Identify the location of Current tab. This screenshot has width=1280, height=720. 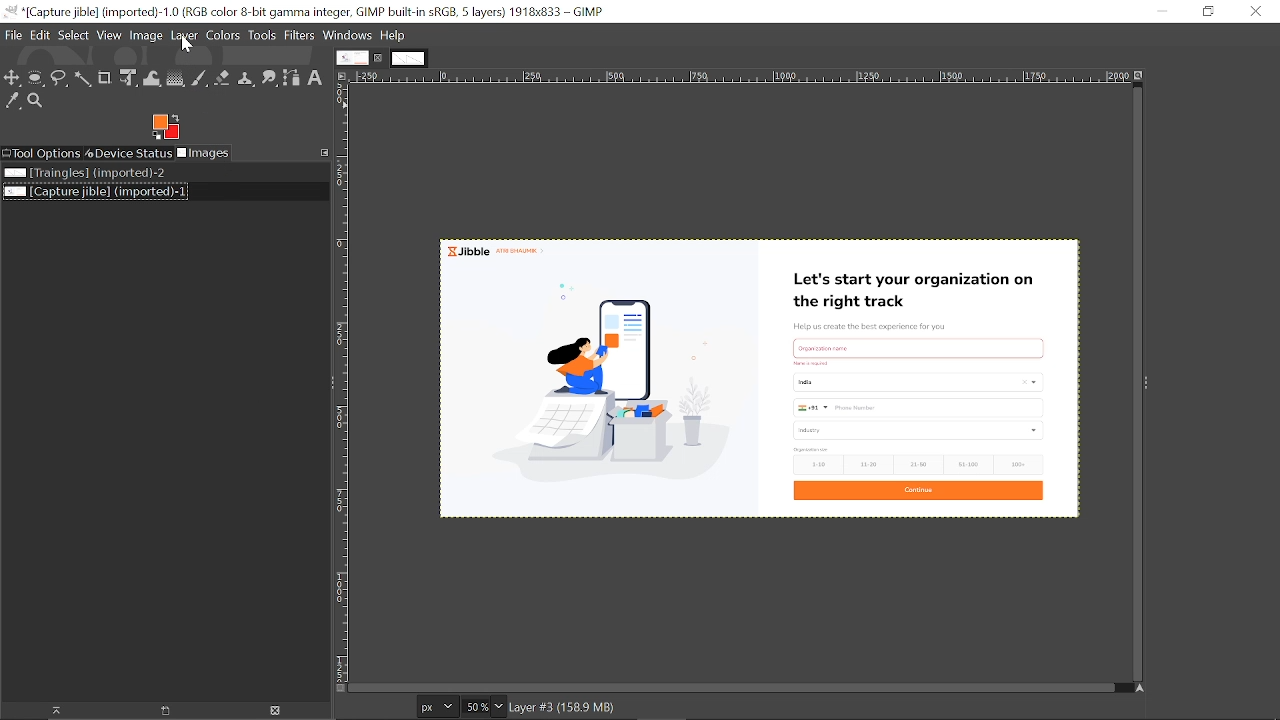
(352, 57).